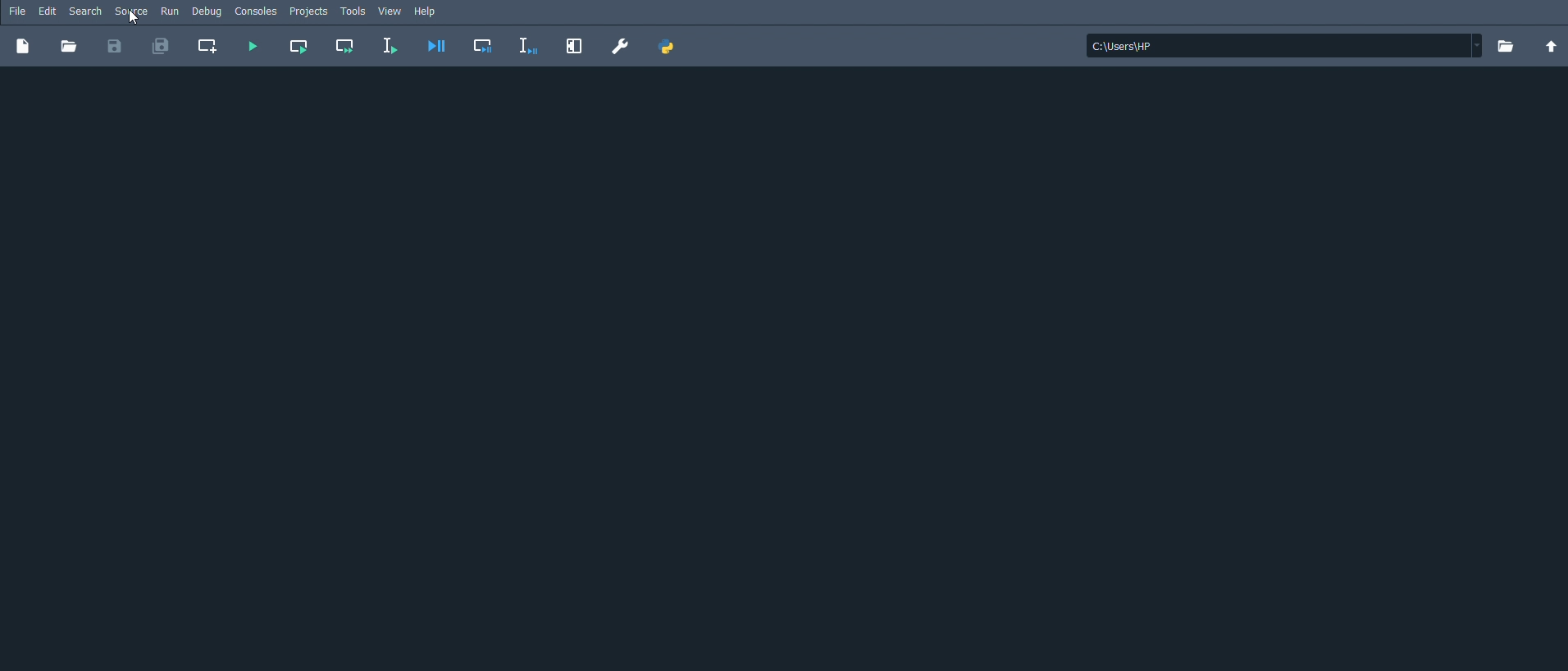  Describe the element at coordinates (299, 48) in the screenshot. I see `Run current cell` at that location.